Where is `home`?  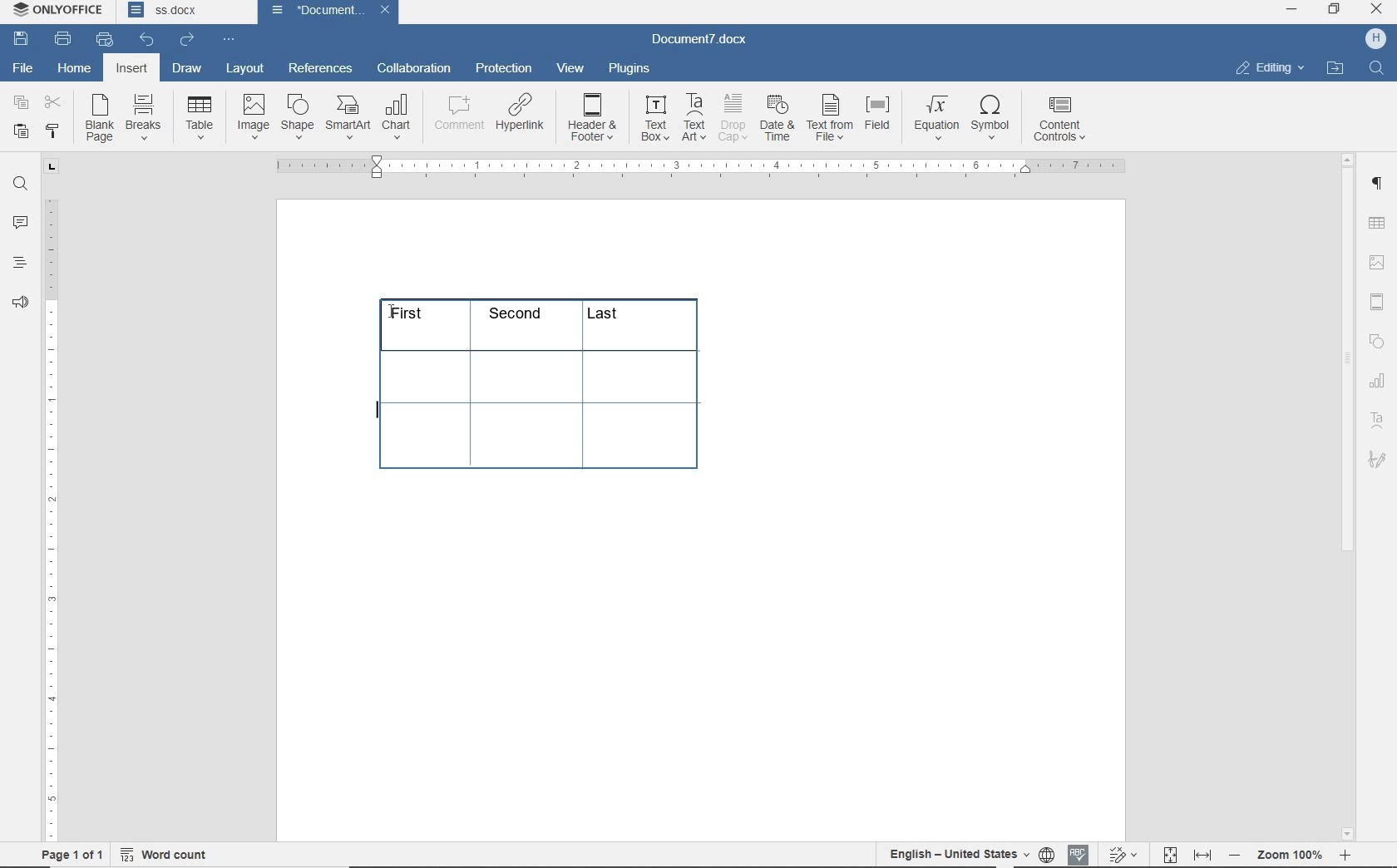 home is located at coordinates (76, 70).